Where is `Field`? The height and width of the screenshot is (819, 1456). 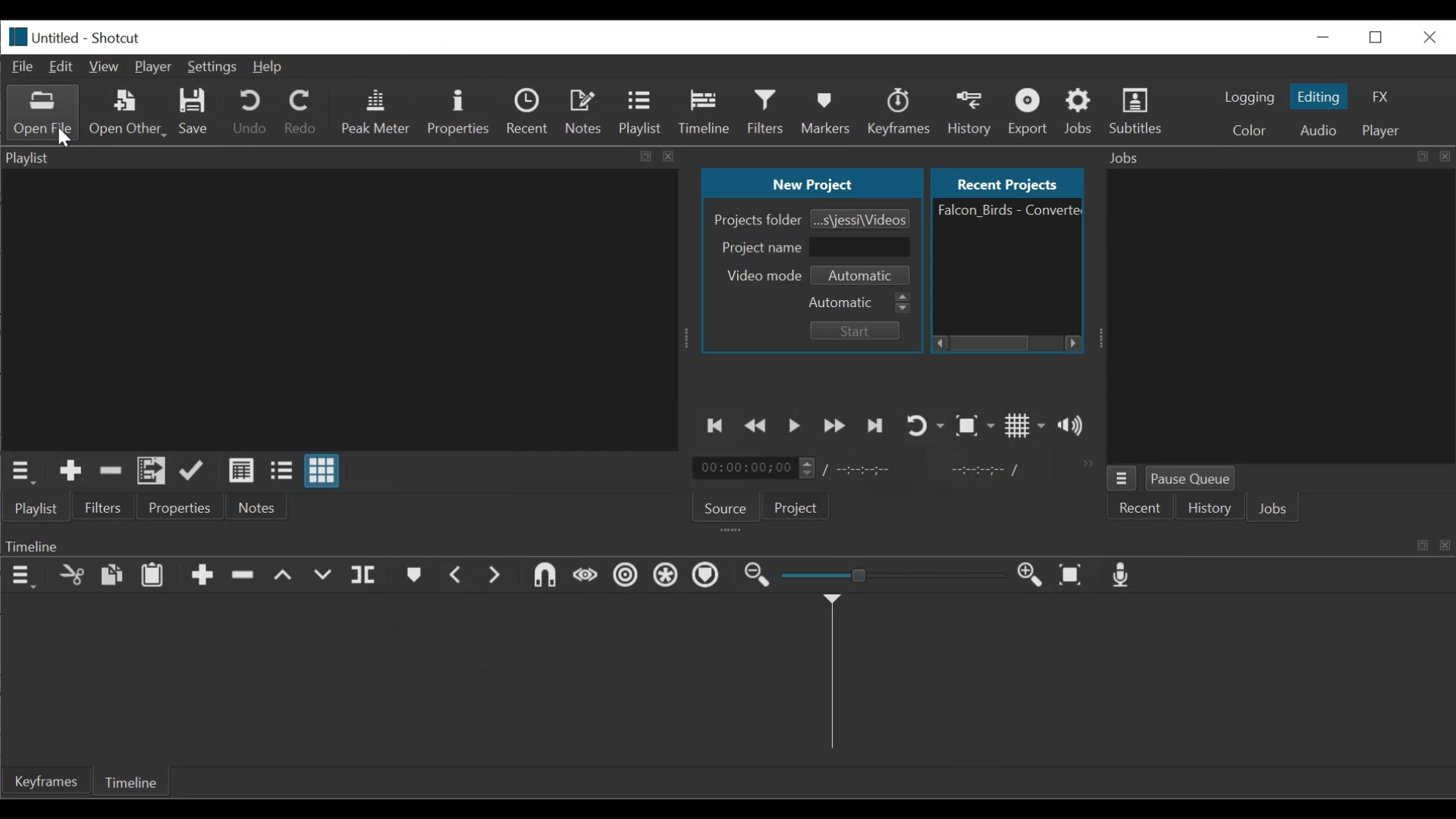
Field is located at coordinates (863, 247).